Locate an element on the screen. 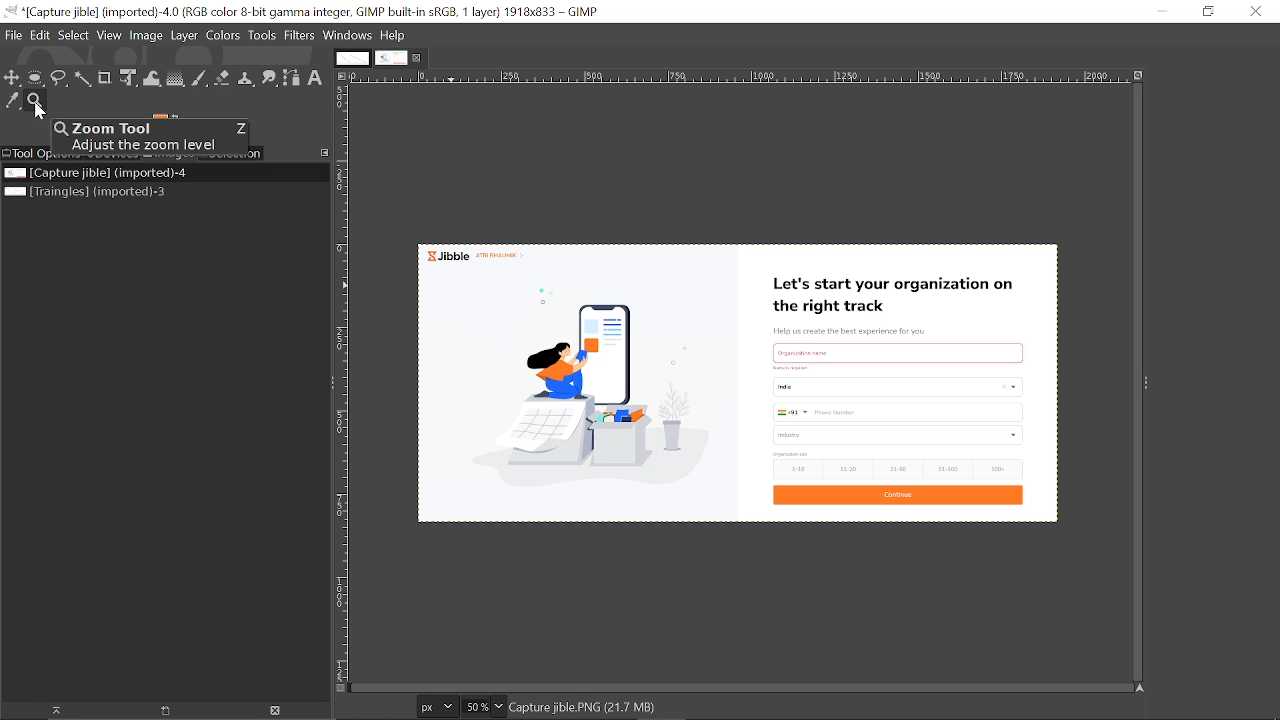 This screenshot has height=720, width=1280. Help is located at coordinates (393, 36).